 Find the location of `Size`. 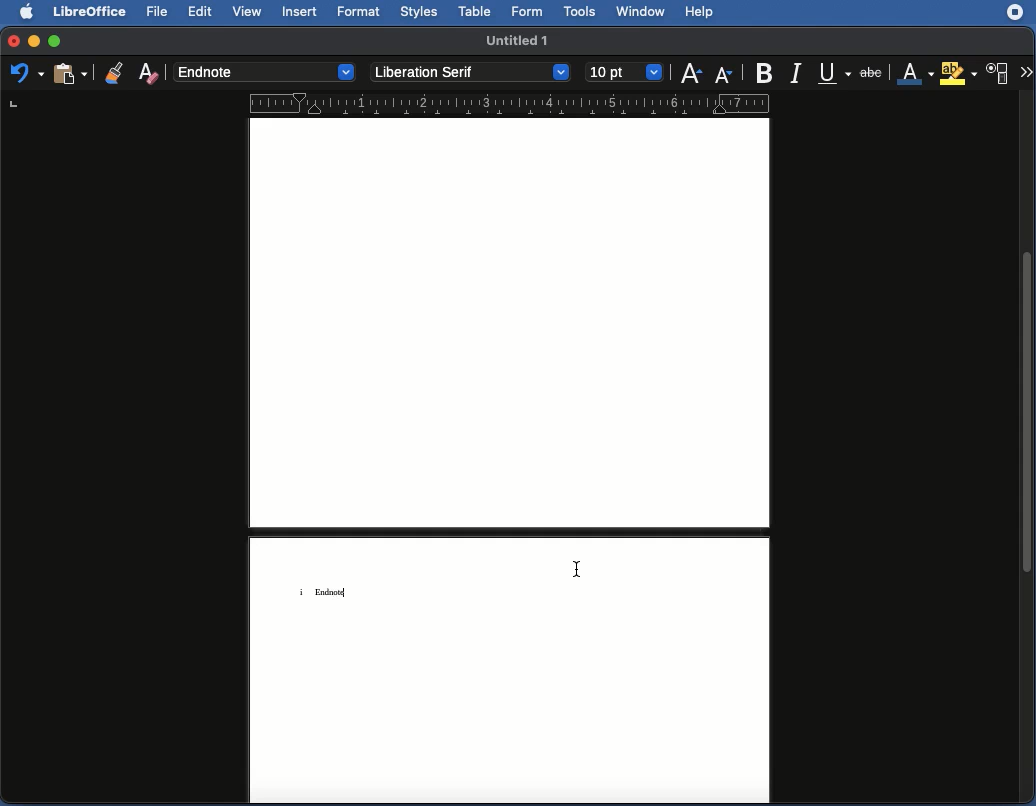

Size is located at coordinates (626, 72).